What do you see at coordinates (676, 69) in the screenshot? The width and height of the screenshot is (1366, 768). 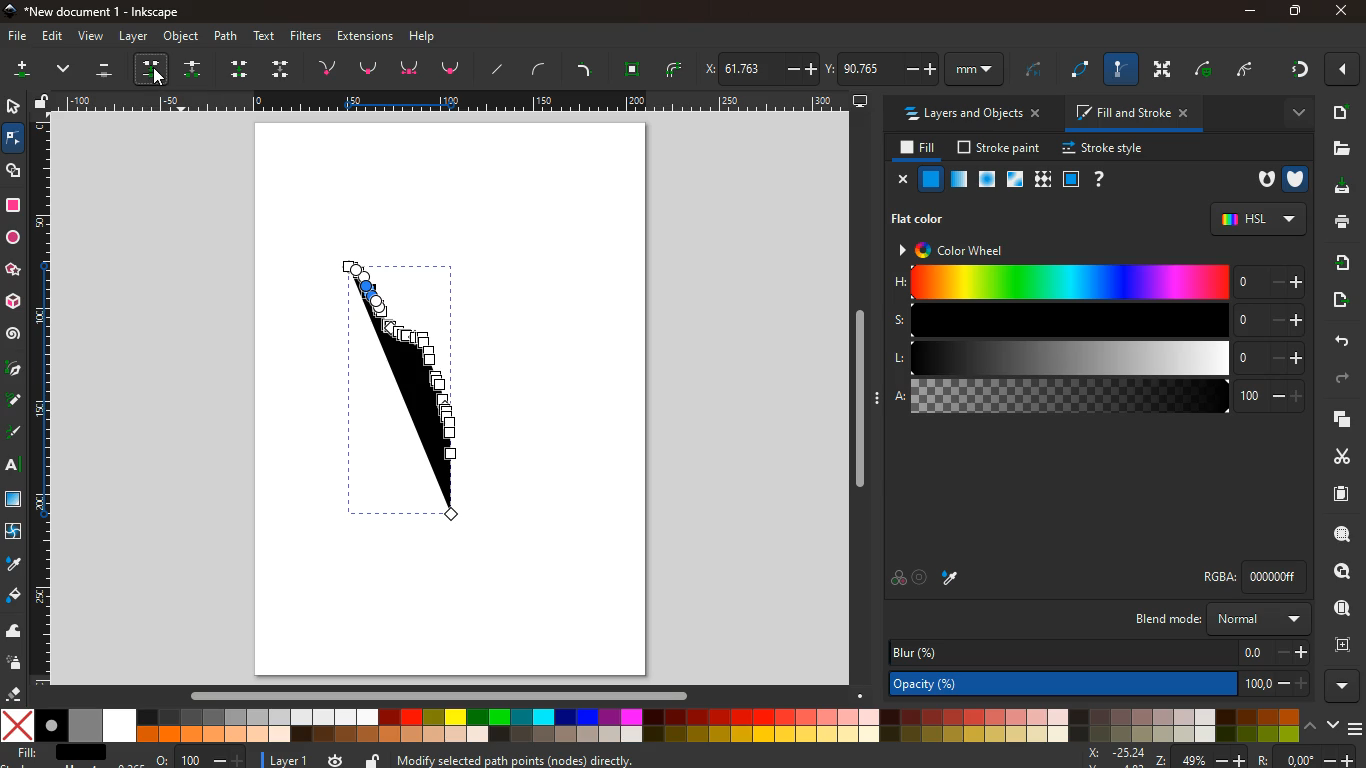 I see `ropes` at bounding box center [676, 69].